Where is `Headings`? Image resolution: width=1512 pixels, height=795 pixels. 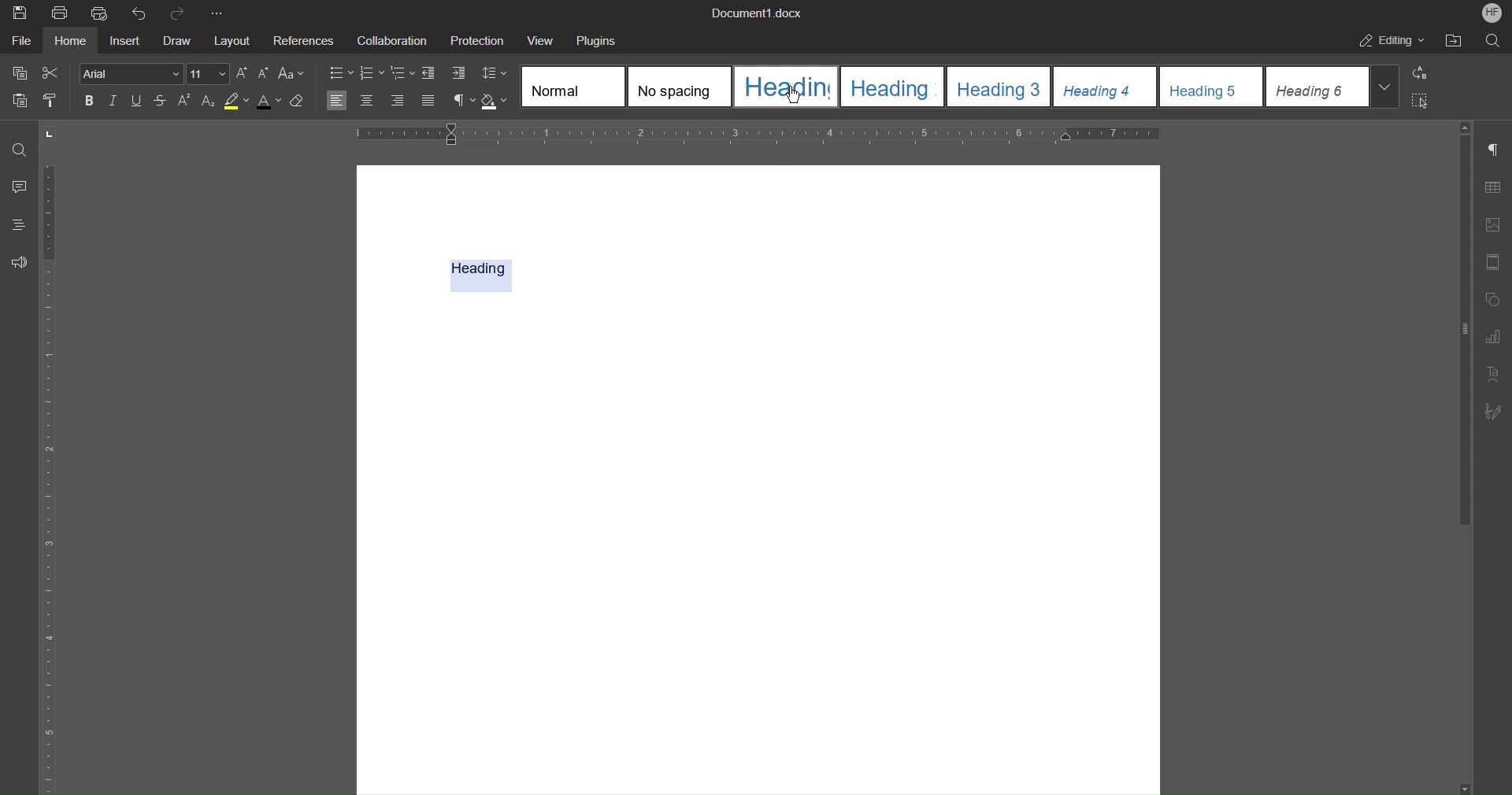
Headings is located at coordinates (18, 223).